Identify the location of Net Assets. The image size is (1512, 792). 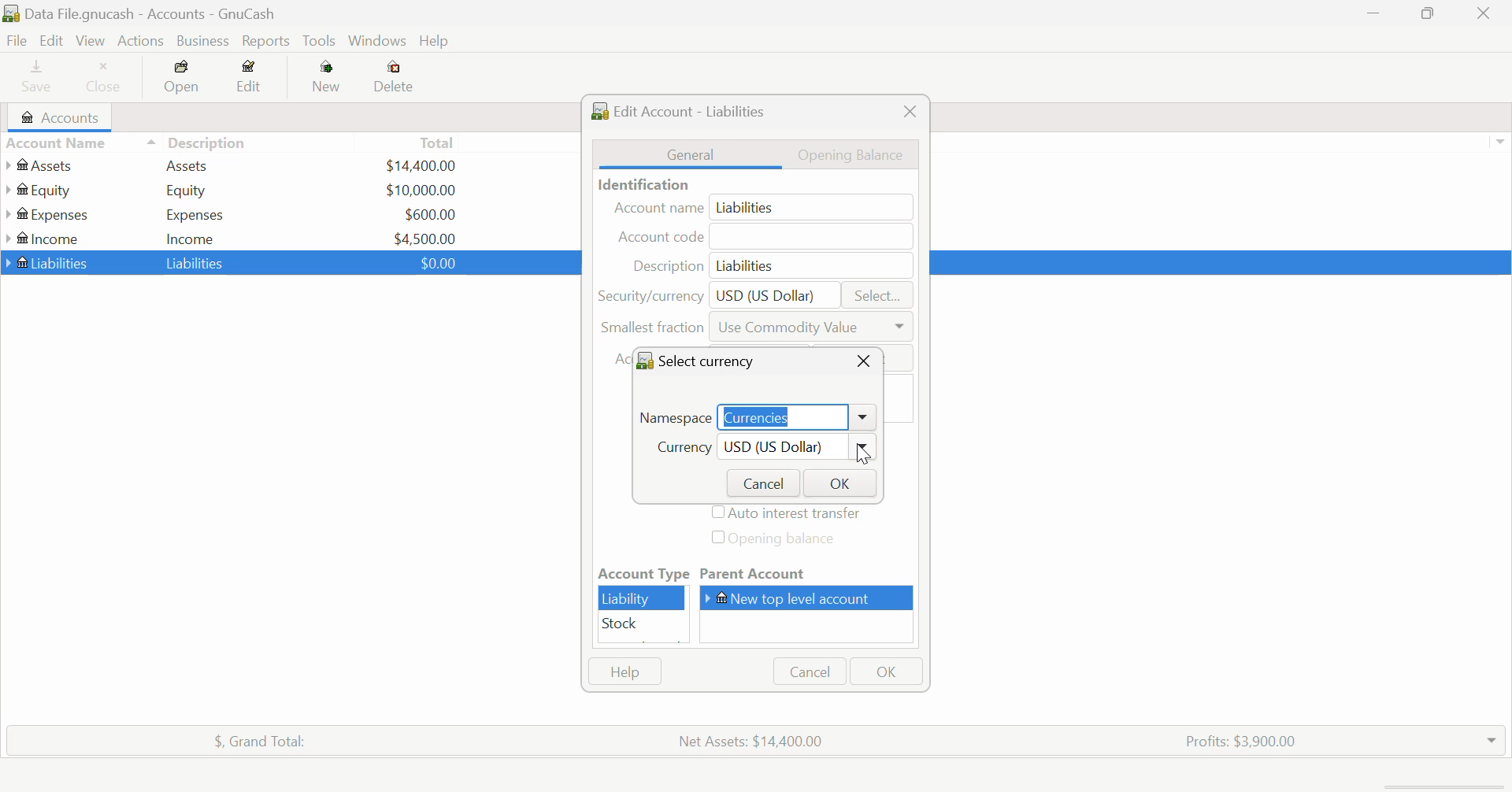
(754, 741).